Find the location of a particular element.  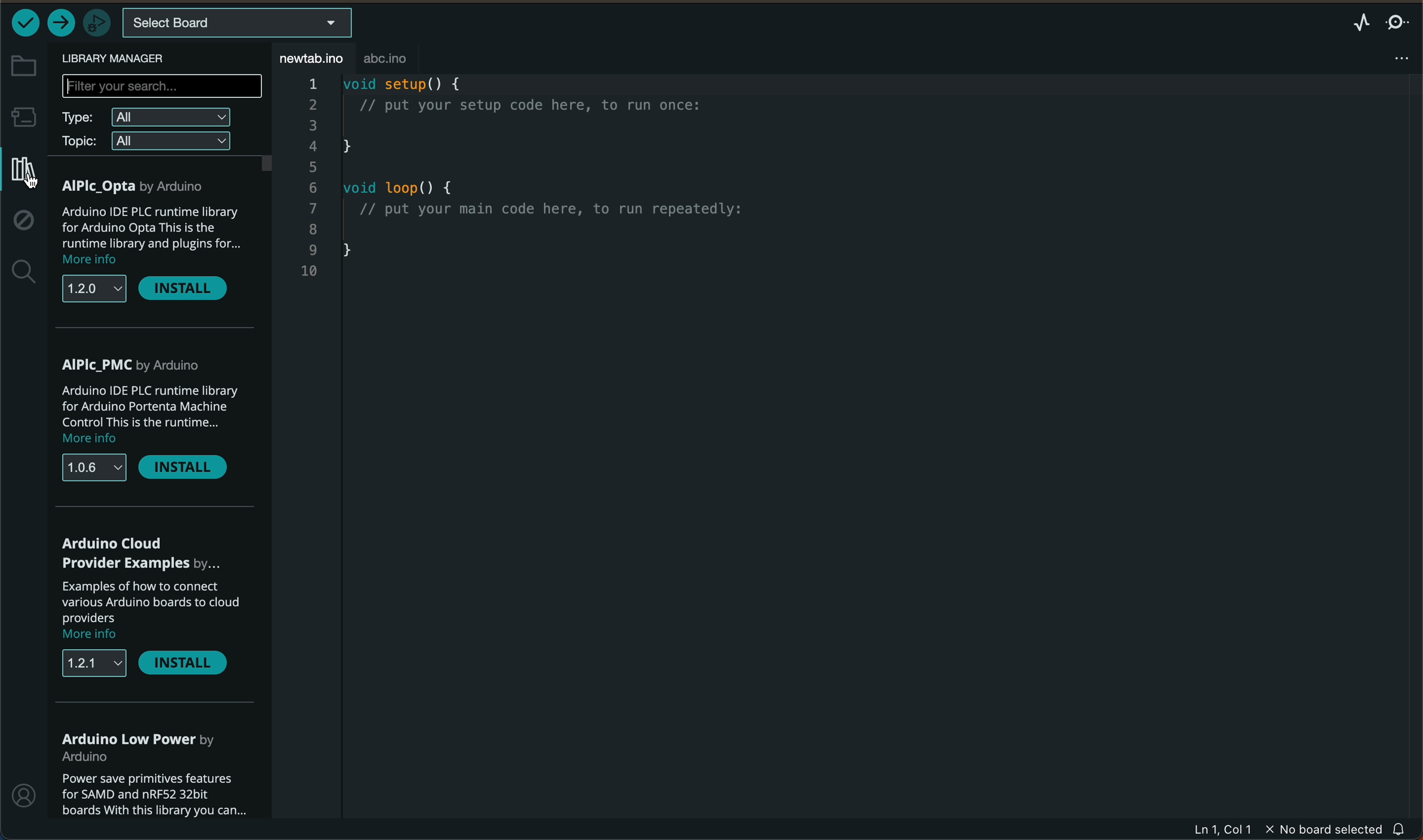

file setting is located at coordinates (1394, 57).